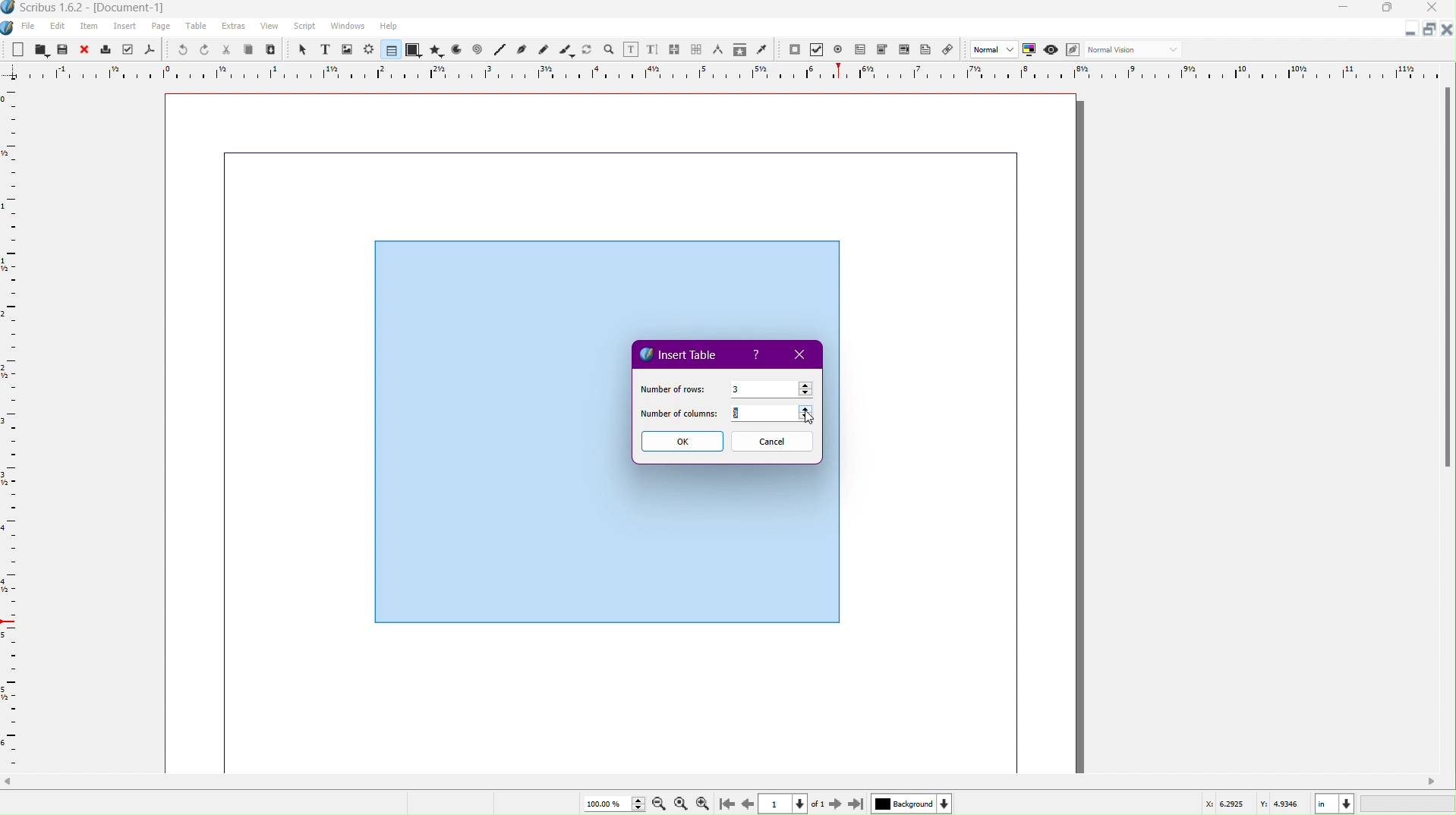 The width and height of the screenshot is (1456, 815). I want to click on Minimize, so click(1407, 31).